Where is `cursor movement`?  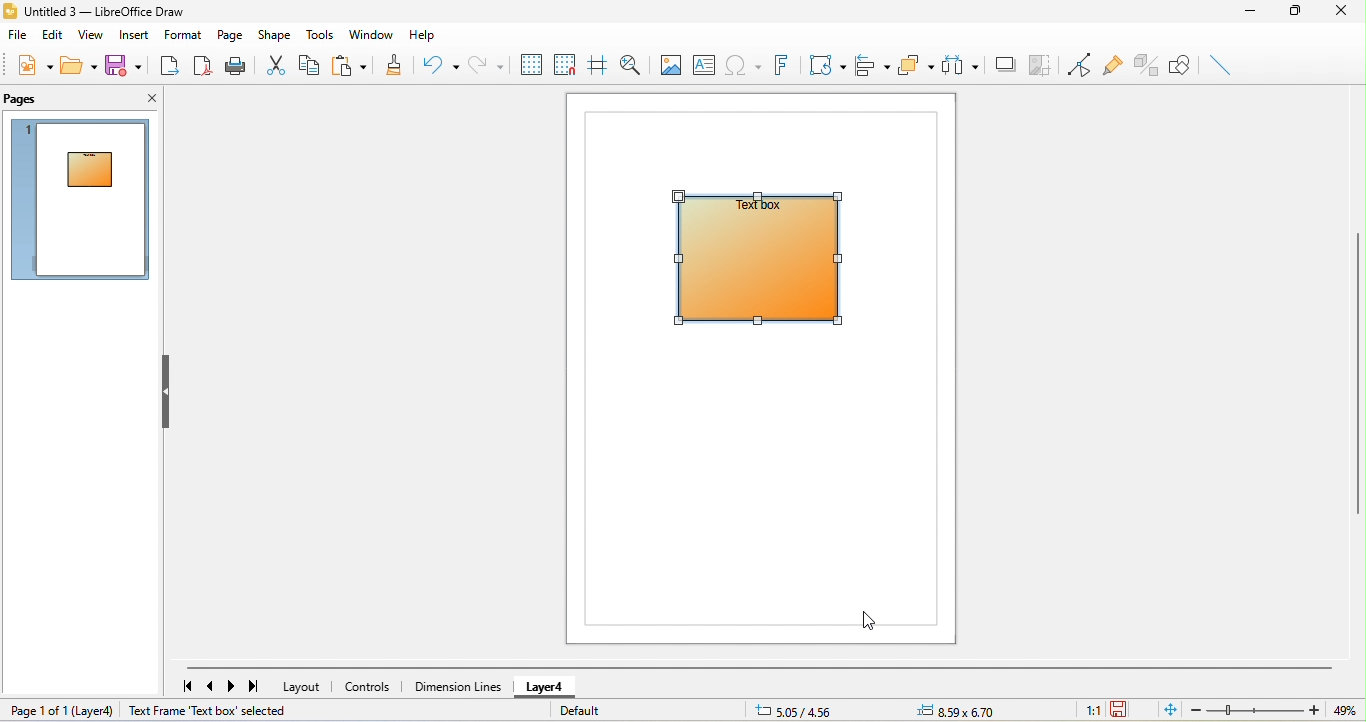 cursor movement is located at coordinates (874, 621).